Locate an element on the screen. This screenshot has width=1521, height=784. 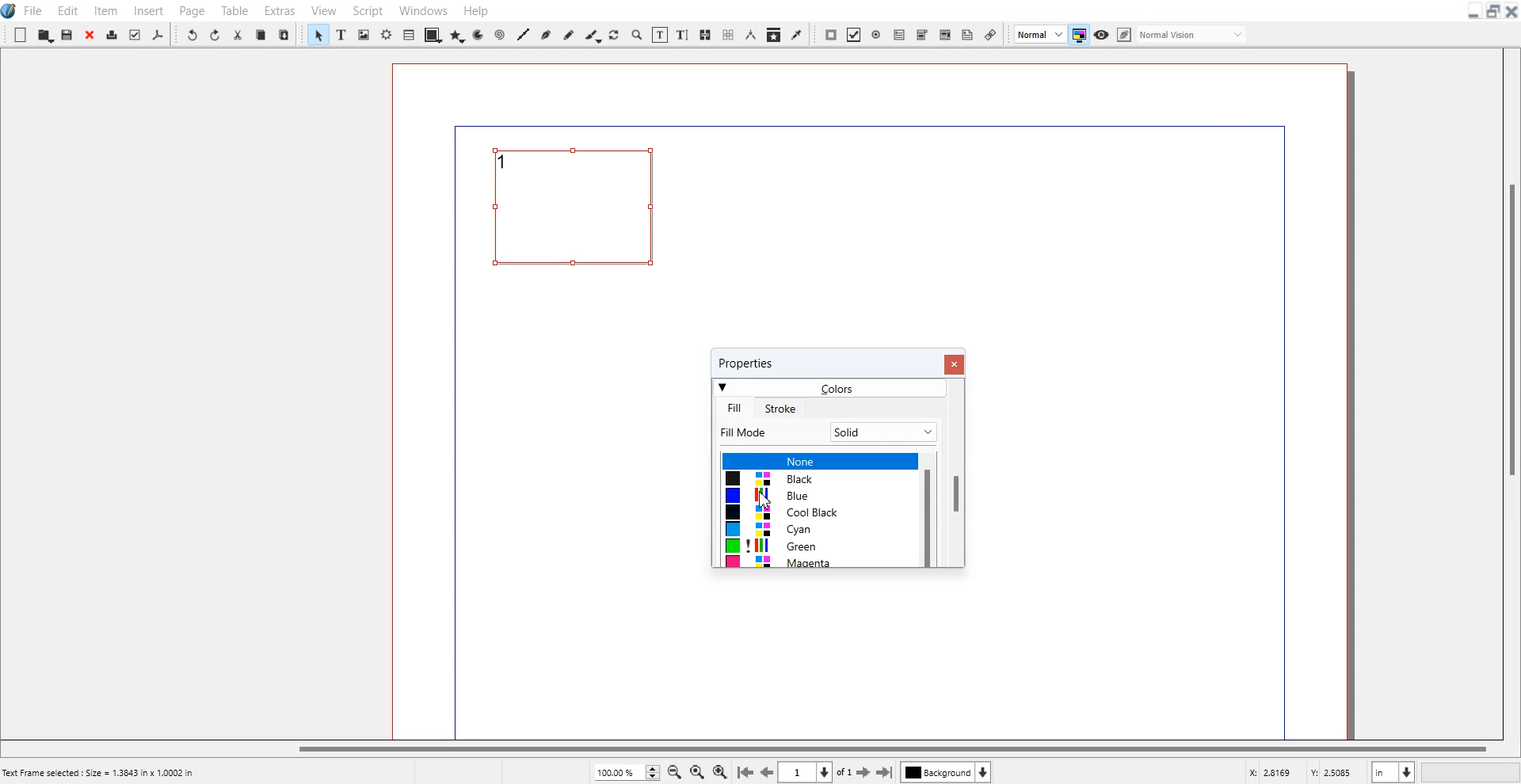
Go to the next page is located at coordinates (863, 773).